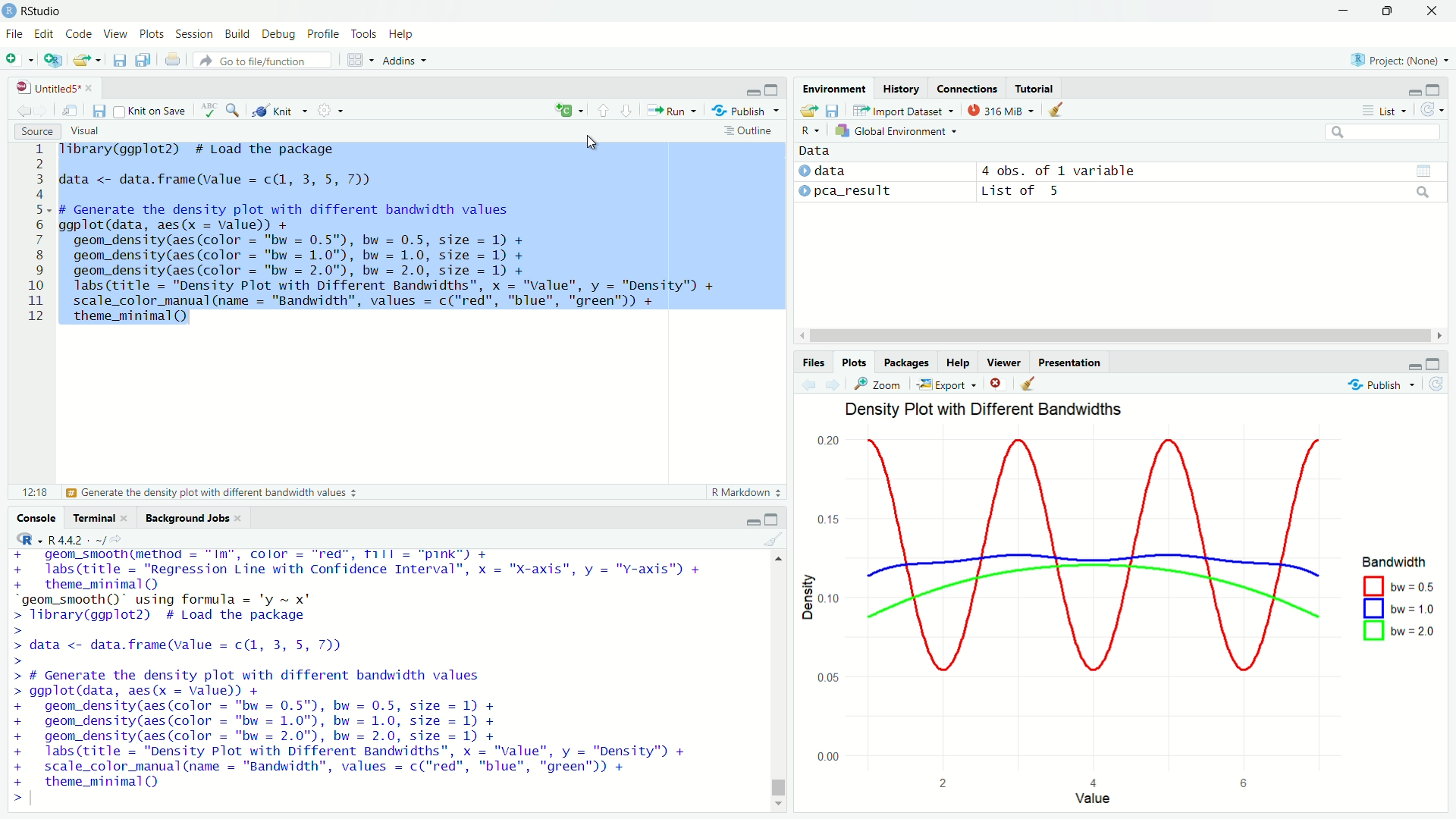 The width and height of the screenshot is (1456, 819). Describe the element at coordinates (279, 111) in the screenshot. I see `Knit` at that location.